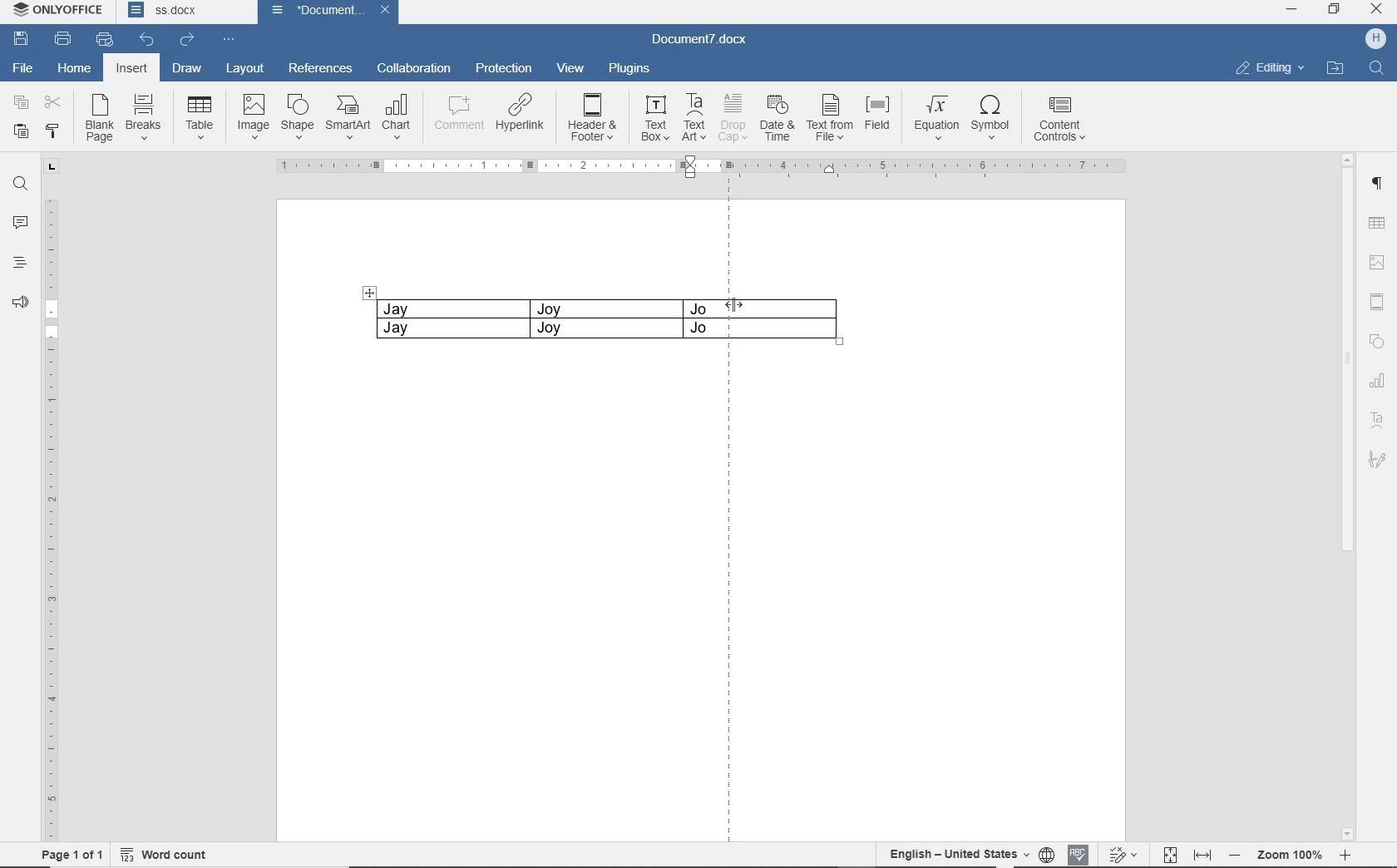 The image size is (1397, 868). I want to click on HOME, so click(76, 67).